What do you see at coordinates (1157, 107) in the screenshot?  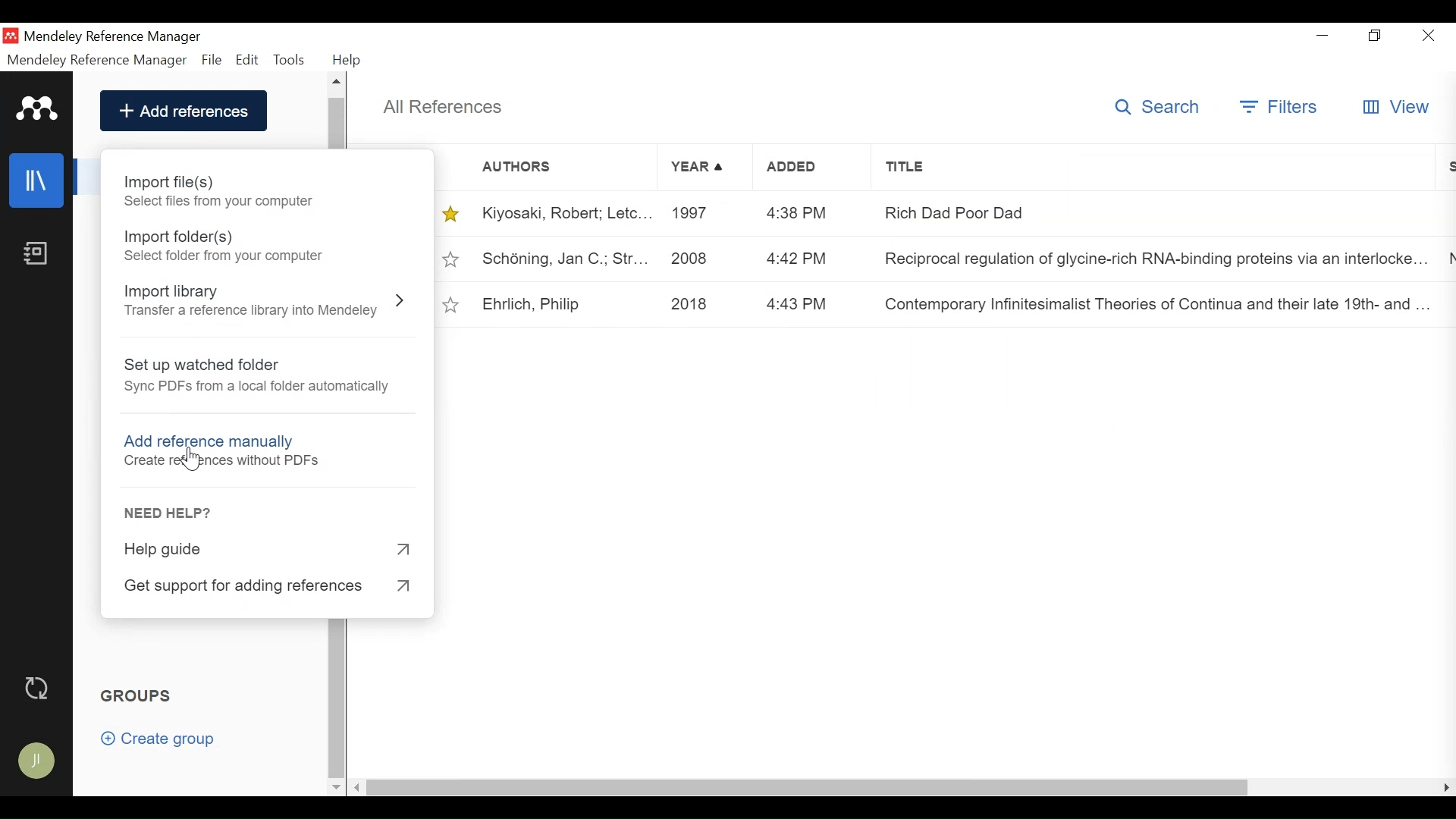 I see `Search` at bounding box center [1157, 107].